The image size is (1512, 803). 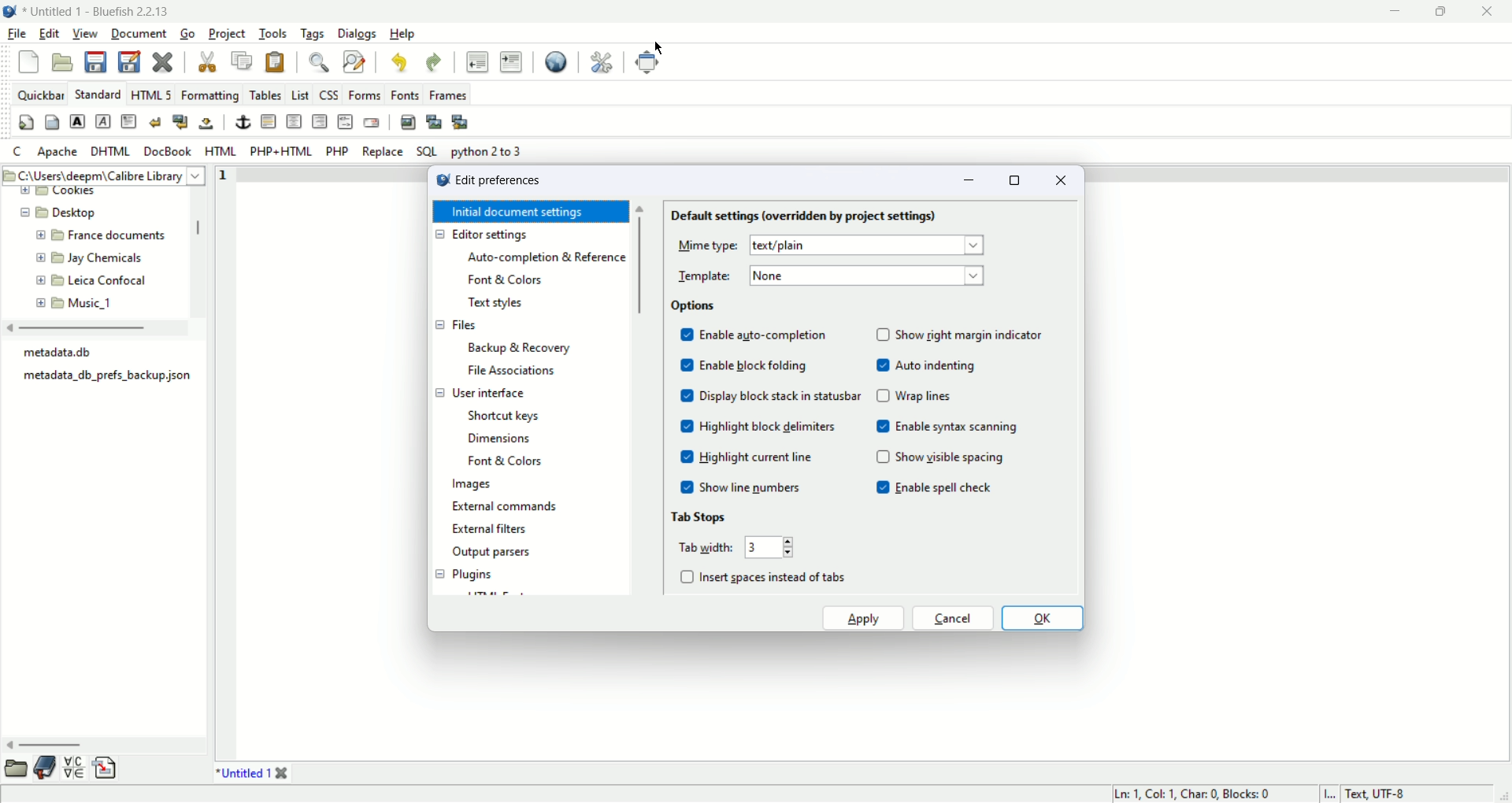 What do you see at coordinates (243, 122) in the screenshot?
I see `anchor` at bounding box center [243, 122].